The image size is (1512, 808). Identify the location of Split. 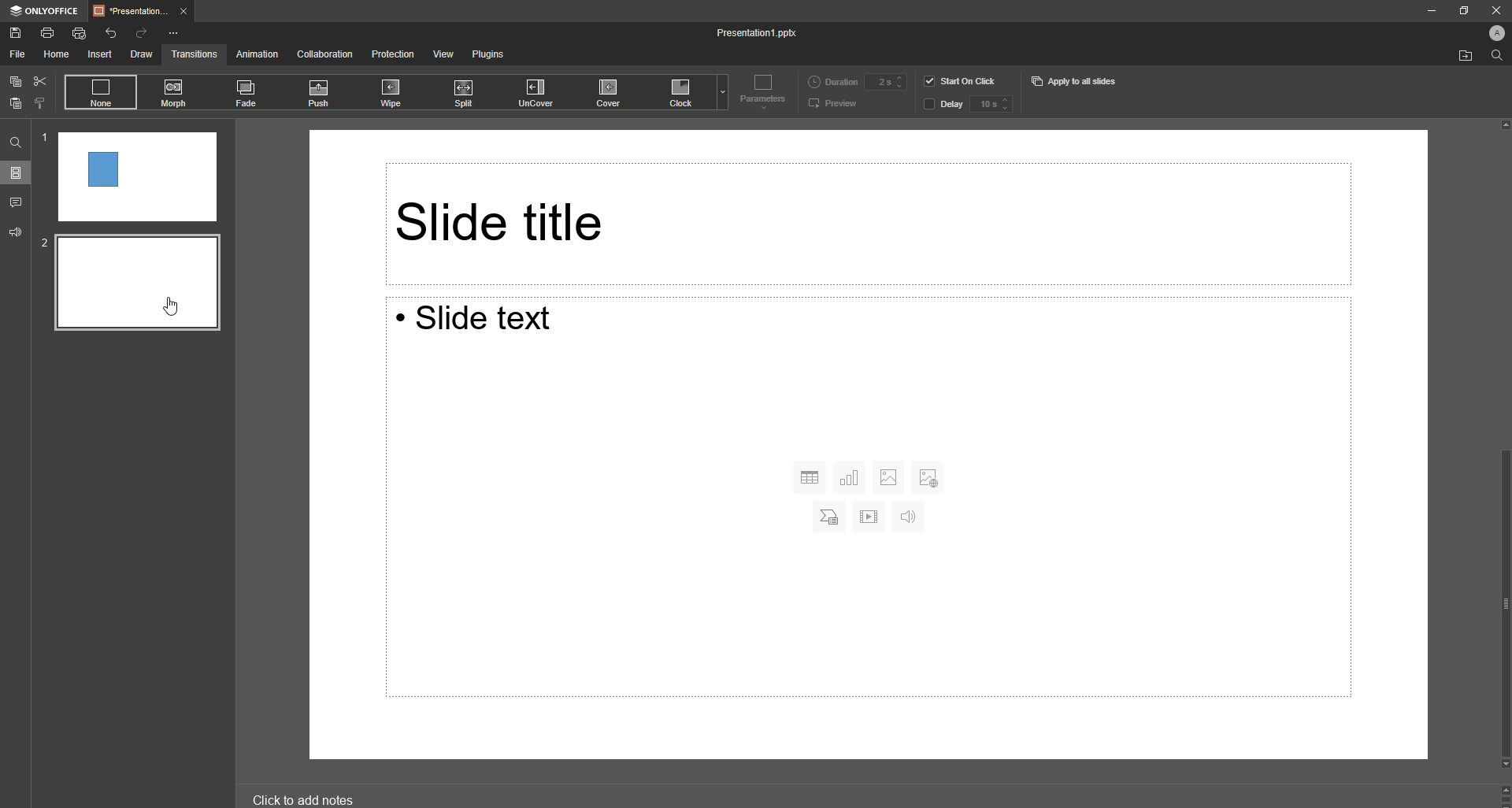
(468, 93).